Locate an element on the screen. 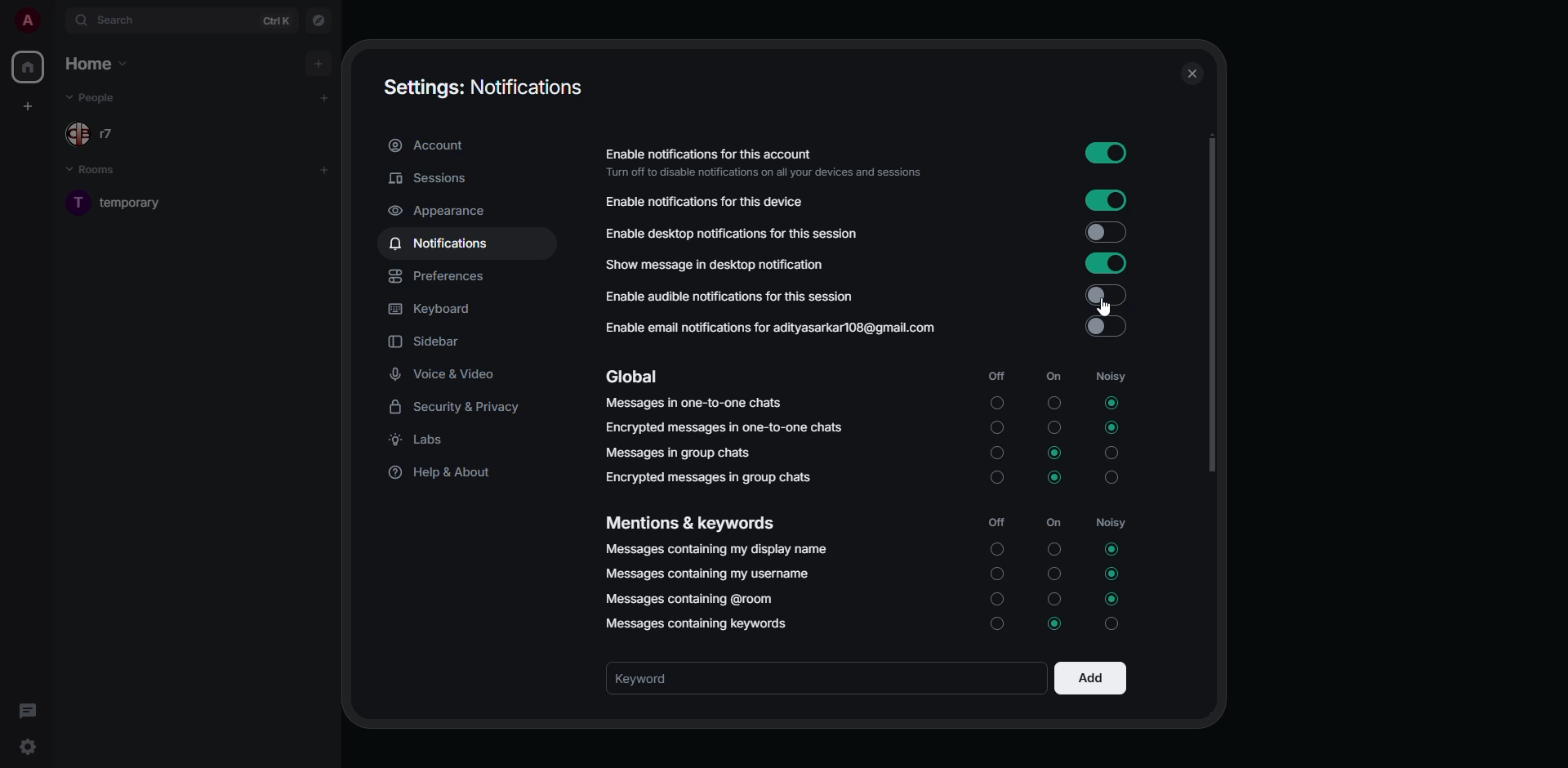 The width and height of the screenshot is (1568, 768). people is located at coordinates (98, 98).